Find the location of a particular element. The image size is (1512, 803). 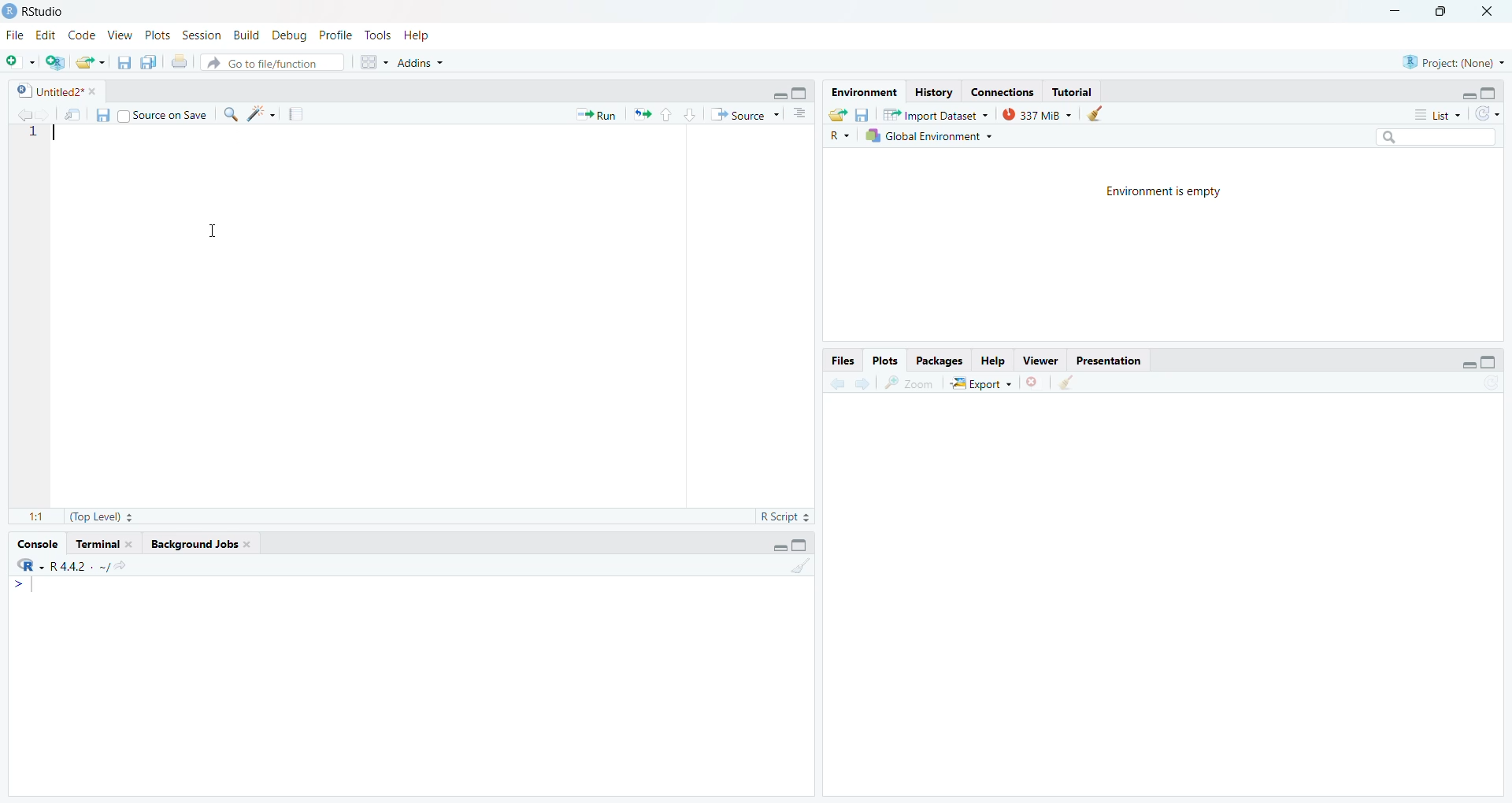

 Profile is located at coordinates (334, 35).